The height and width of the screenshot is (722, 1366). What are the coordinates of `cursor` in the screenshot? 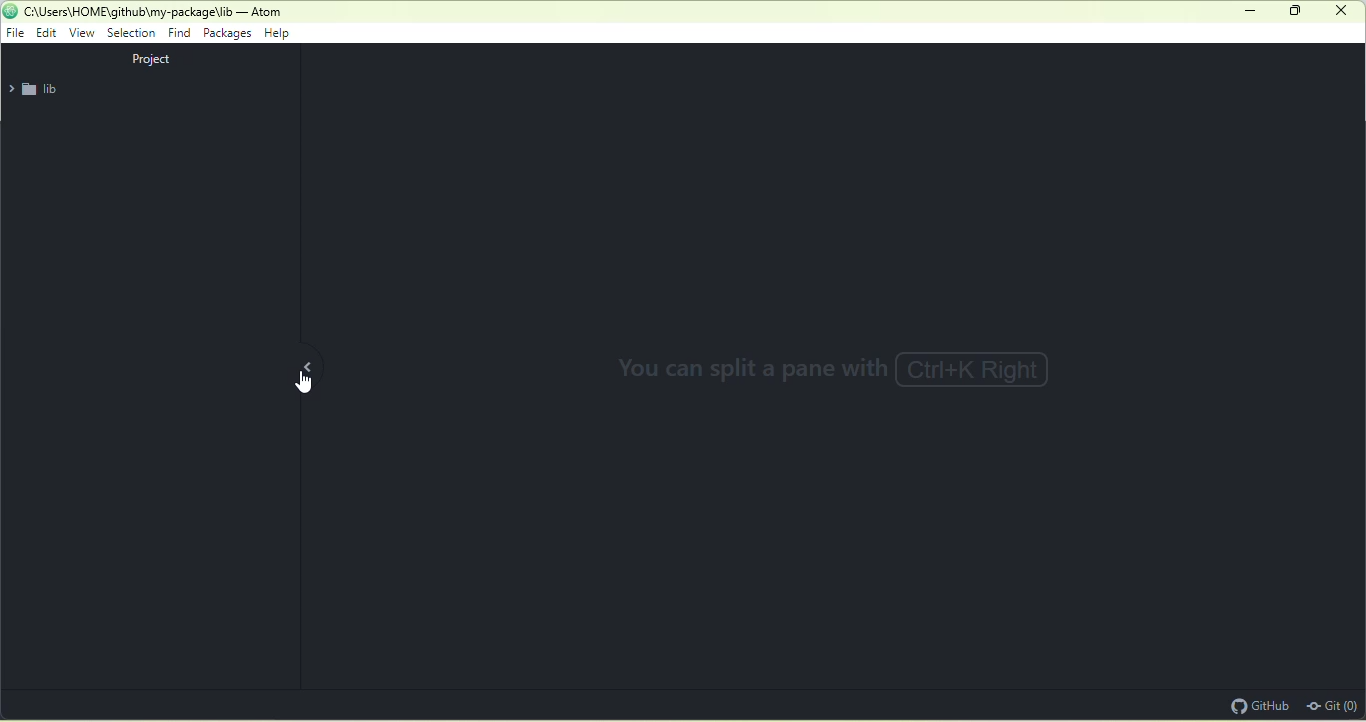 It's located at (305, 384).